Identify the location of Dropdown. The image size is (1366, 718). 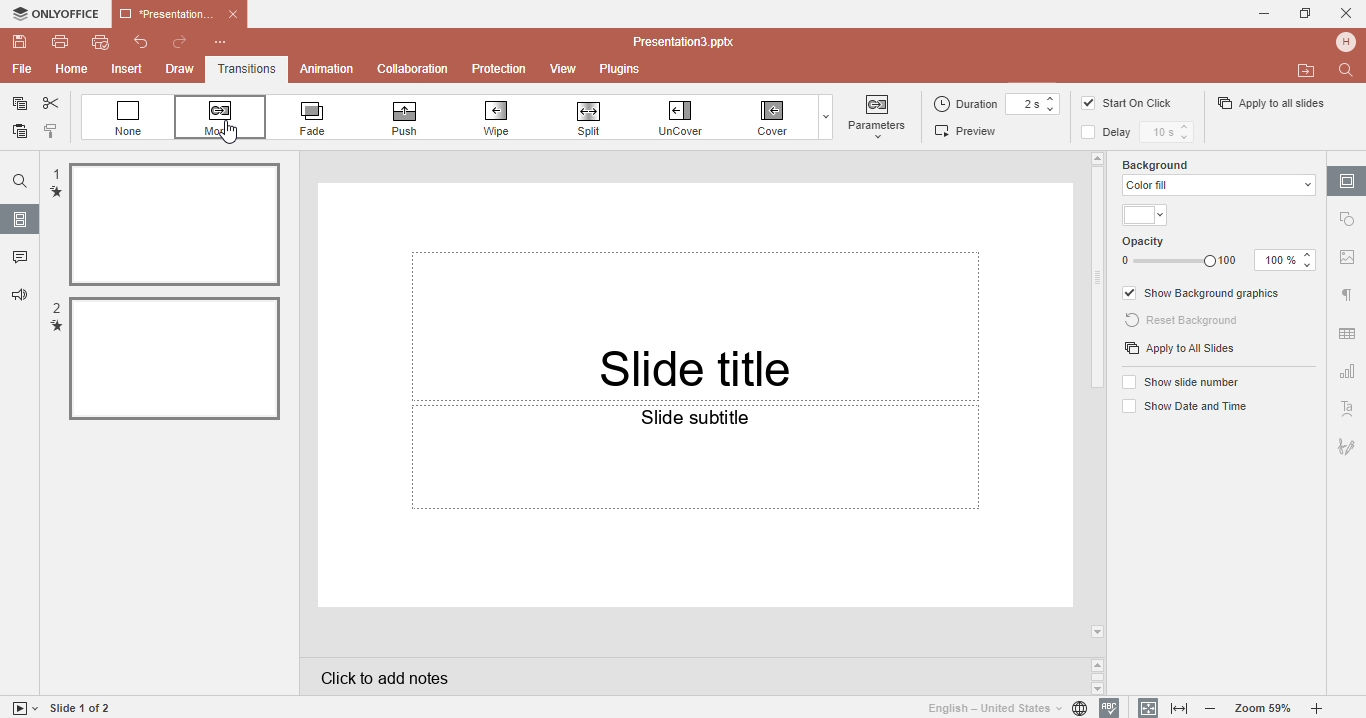
(823, 117).